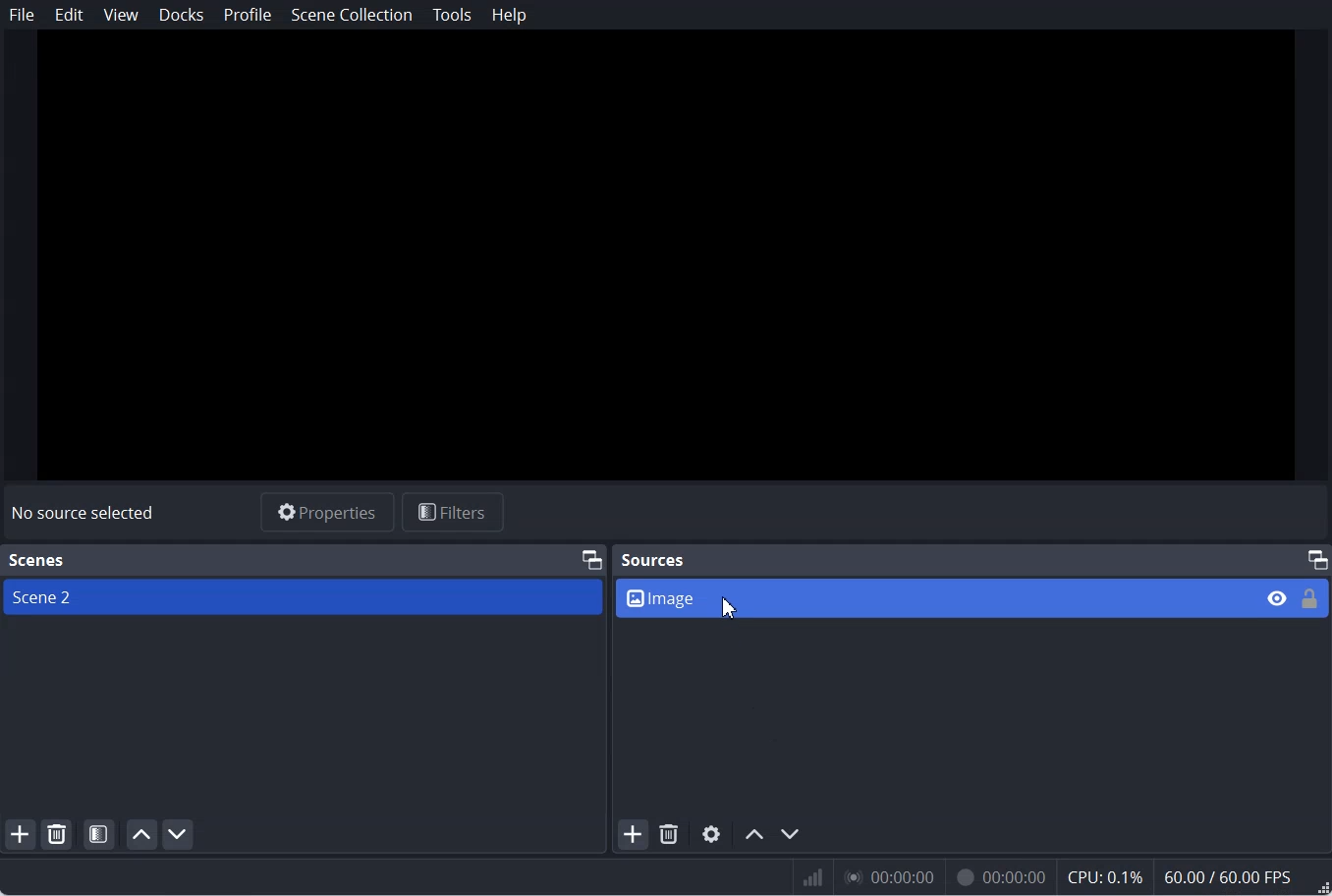  I want to click on Open source Properties, so click(711, 833).